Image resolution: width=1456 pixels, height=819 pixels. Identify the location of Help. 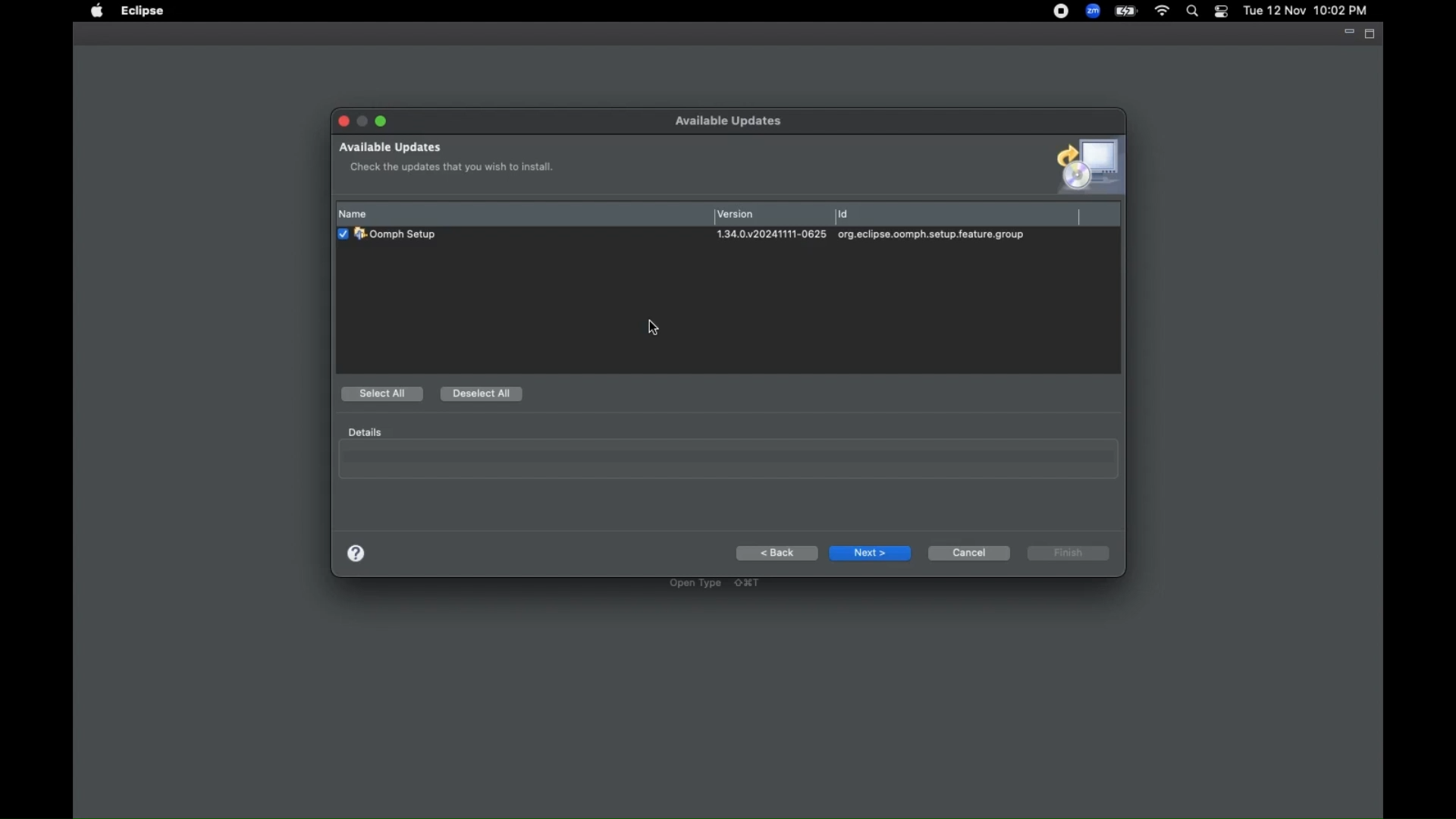
(357, 554).